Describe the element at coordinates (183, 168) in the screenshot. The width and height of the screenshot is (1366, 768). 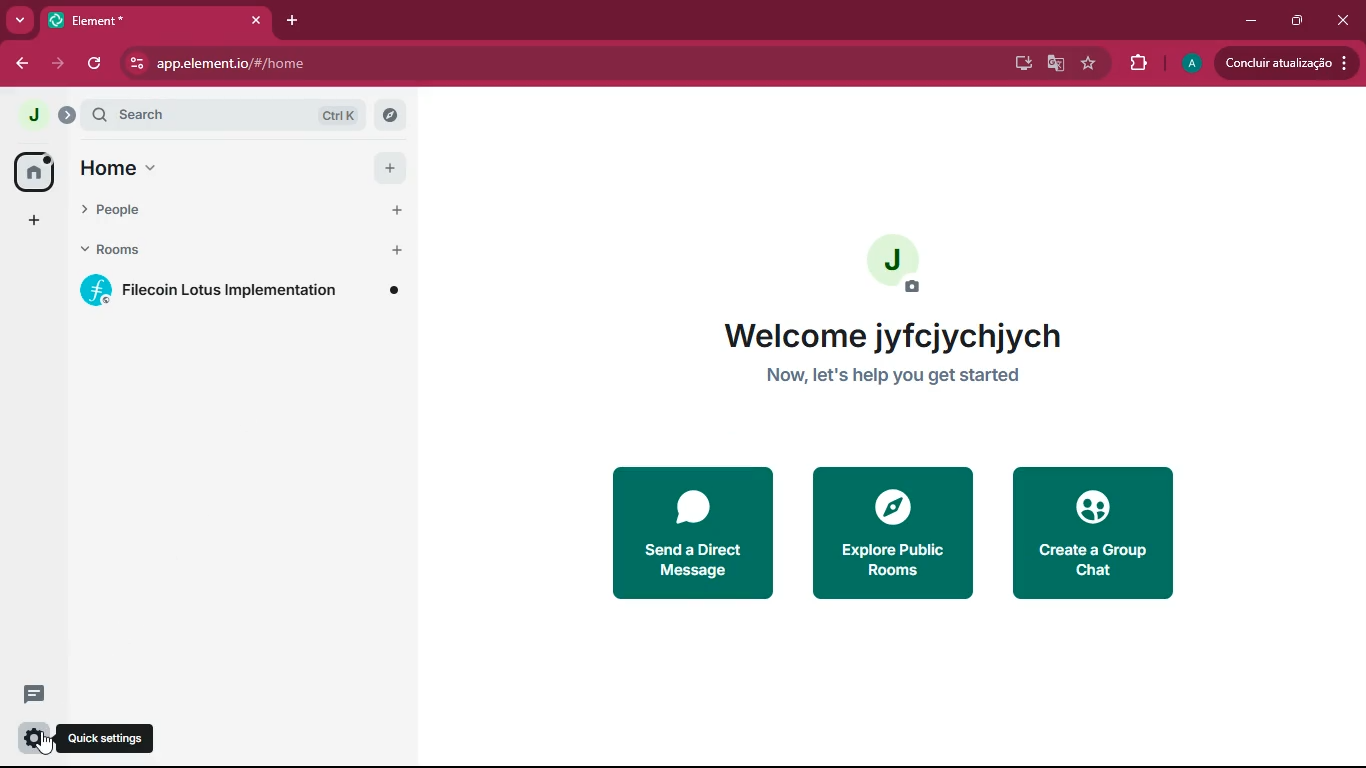
I see `home` at that location.